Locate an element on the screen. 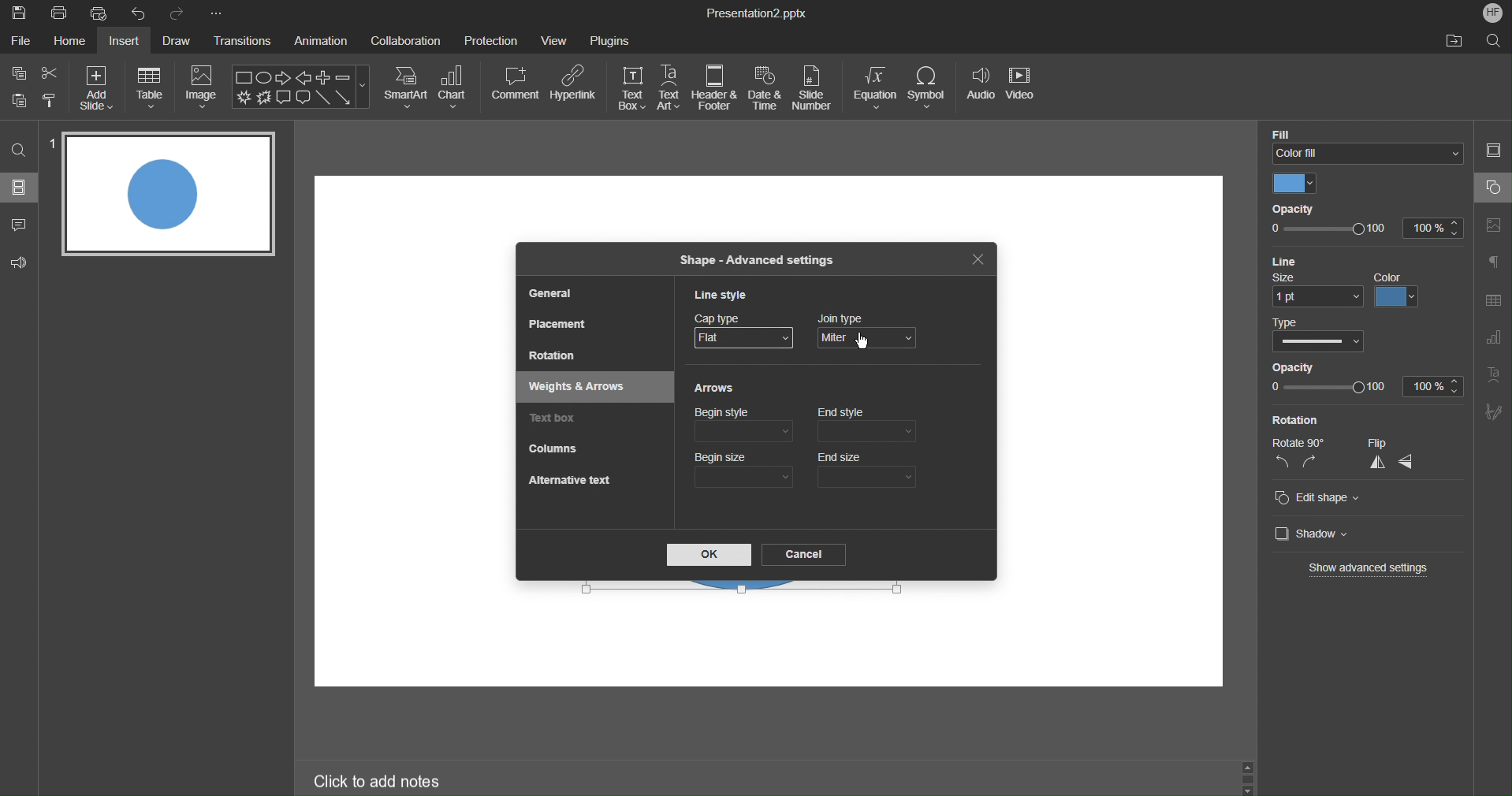 This screenshot has height=796, width=1512. workspace is located at coordinates (756, 206).